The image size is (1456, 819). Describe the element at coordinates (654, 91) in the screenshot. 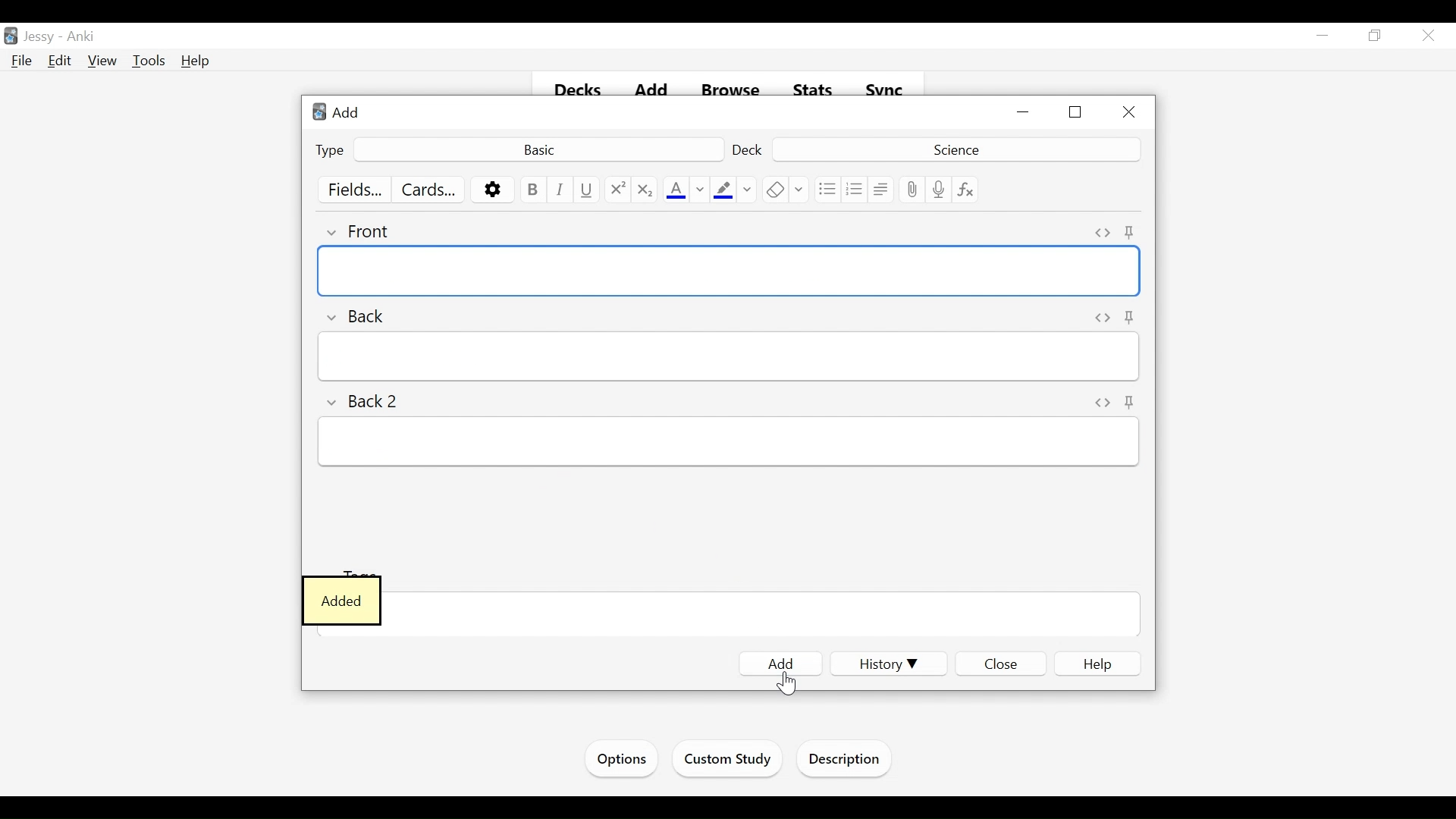

I see `Add` at that location.